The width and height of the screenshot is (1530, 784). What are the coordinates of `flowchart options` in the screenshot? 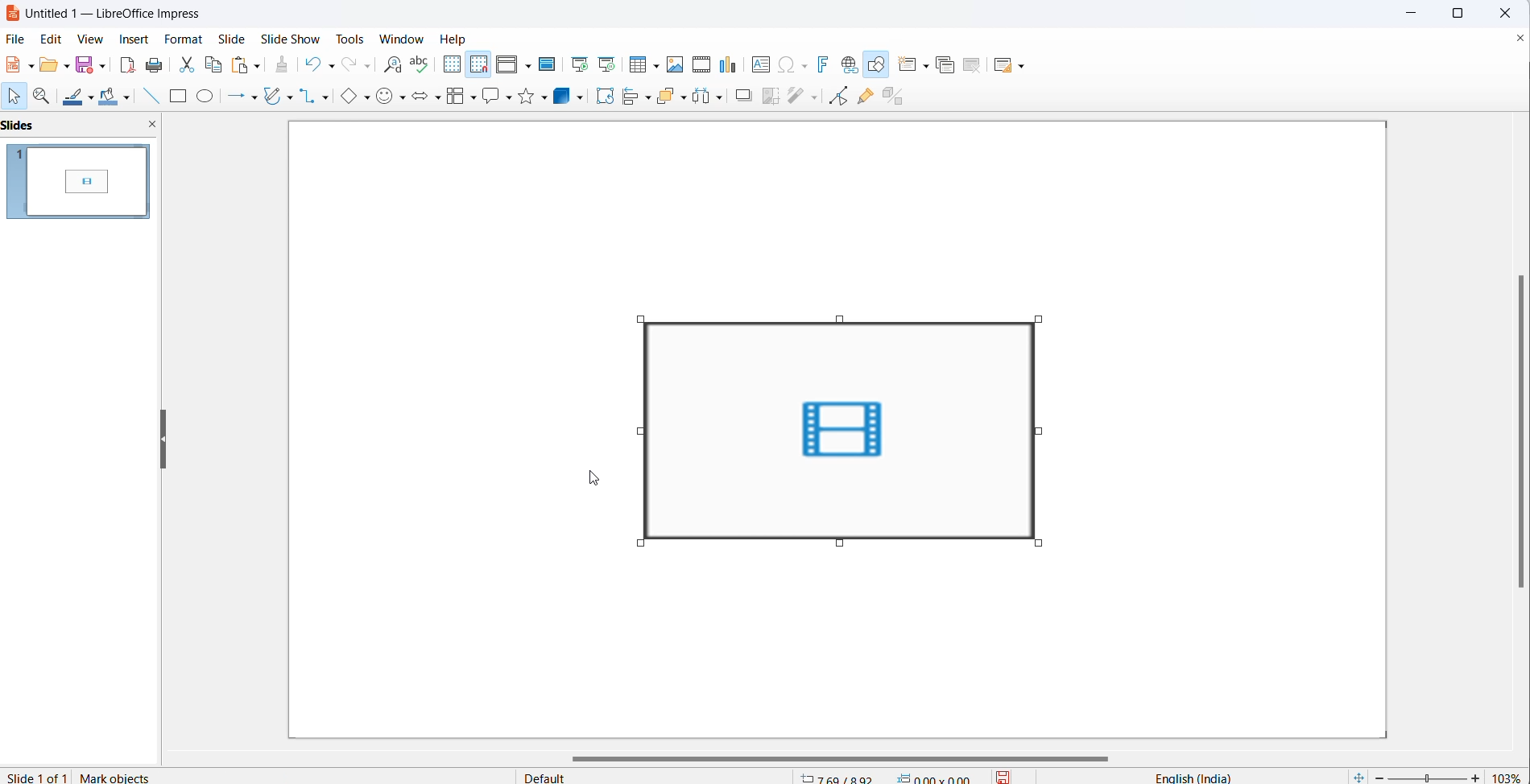 It's located at (473, 98).